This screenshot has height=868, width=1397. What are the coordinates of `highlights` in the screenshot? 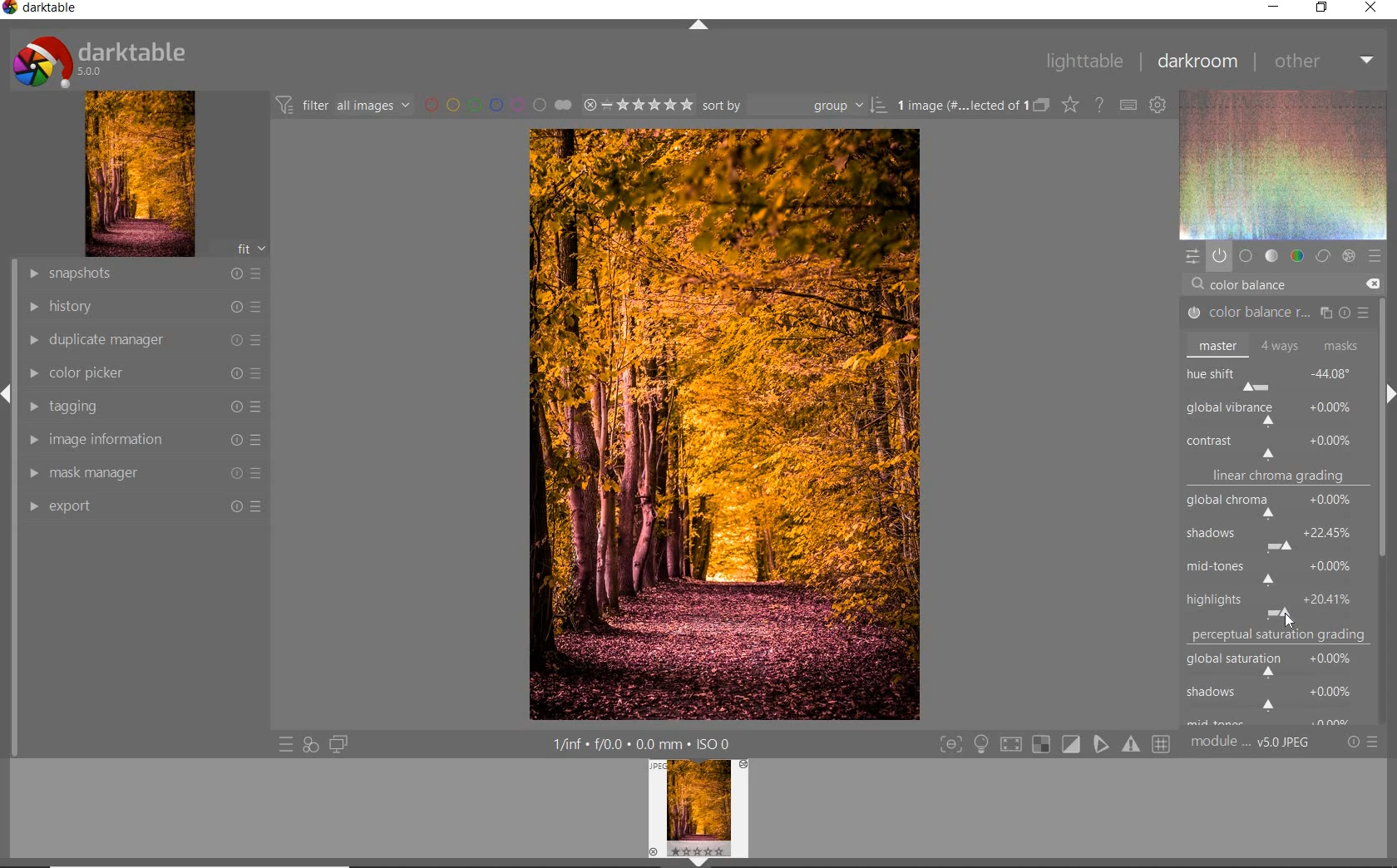 It's located at (1273, 600).